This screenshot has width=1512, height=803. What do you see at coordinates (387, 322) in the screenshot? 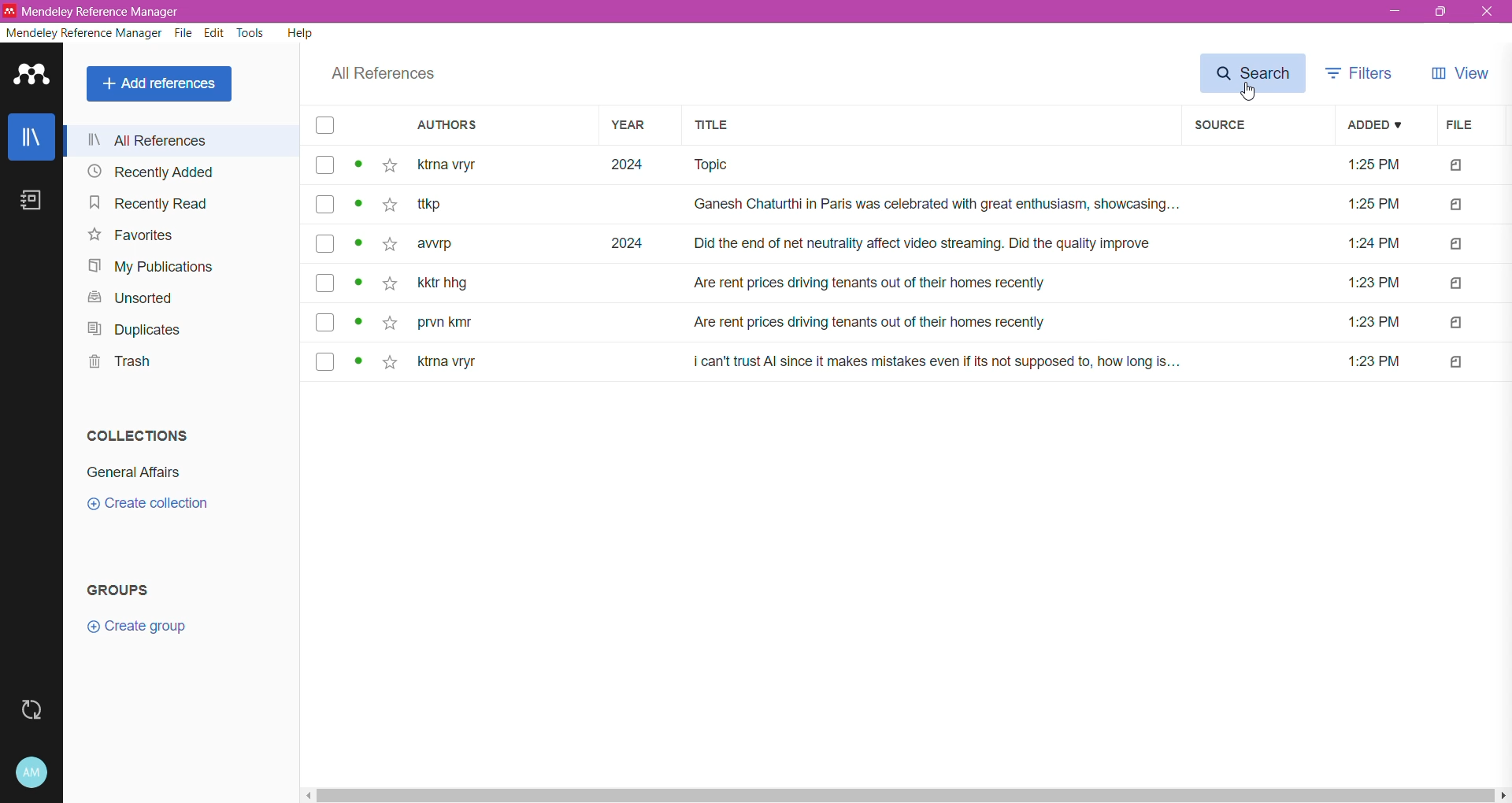
I see `click here to add to favourites` at bounding box center [387, 322].